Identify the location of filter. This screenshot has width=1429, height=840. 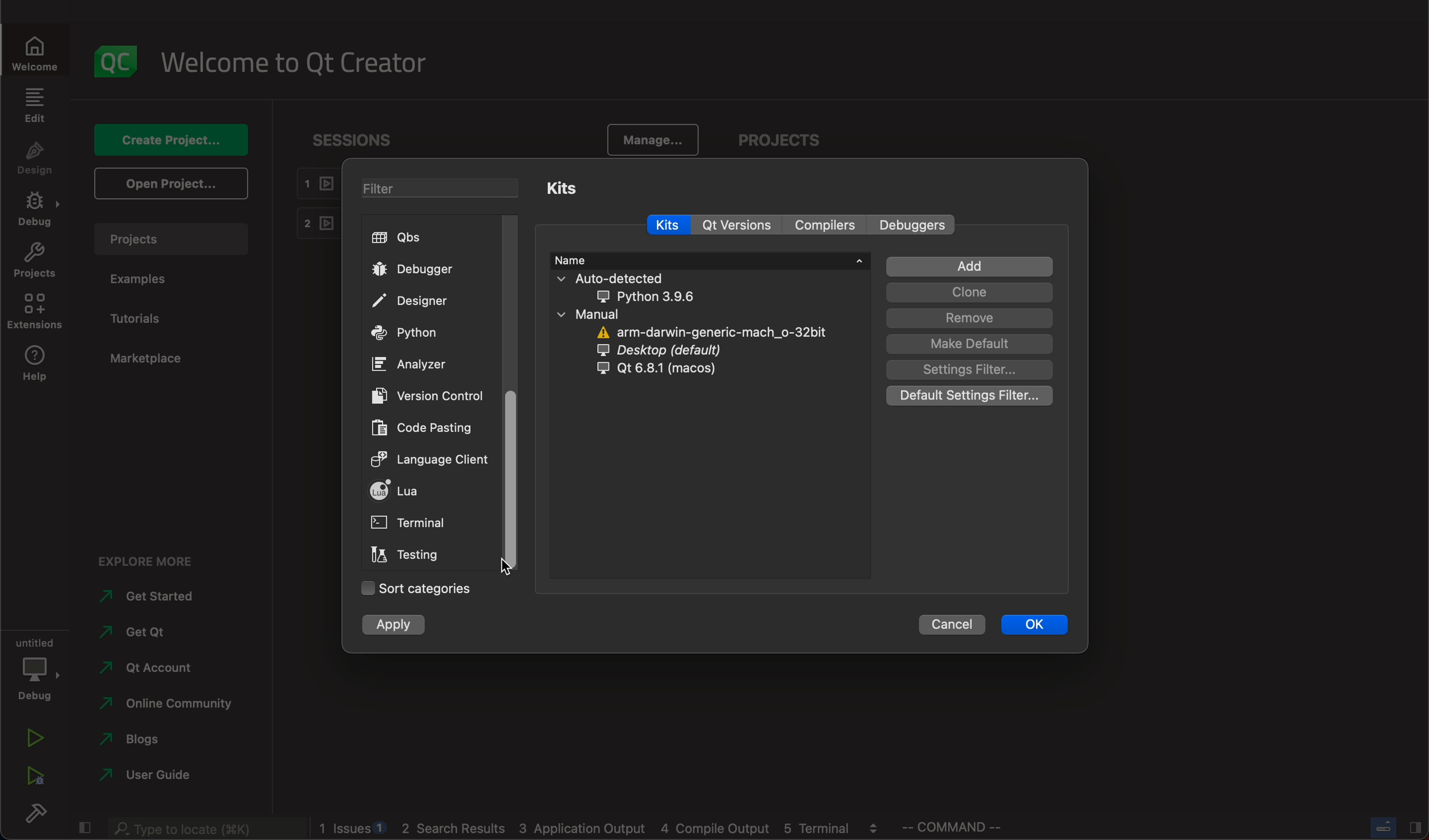
(970, 370).